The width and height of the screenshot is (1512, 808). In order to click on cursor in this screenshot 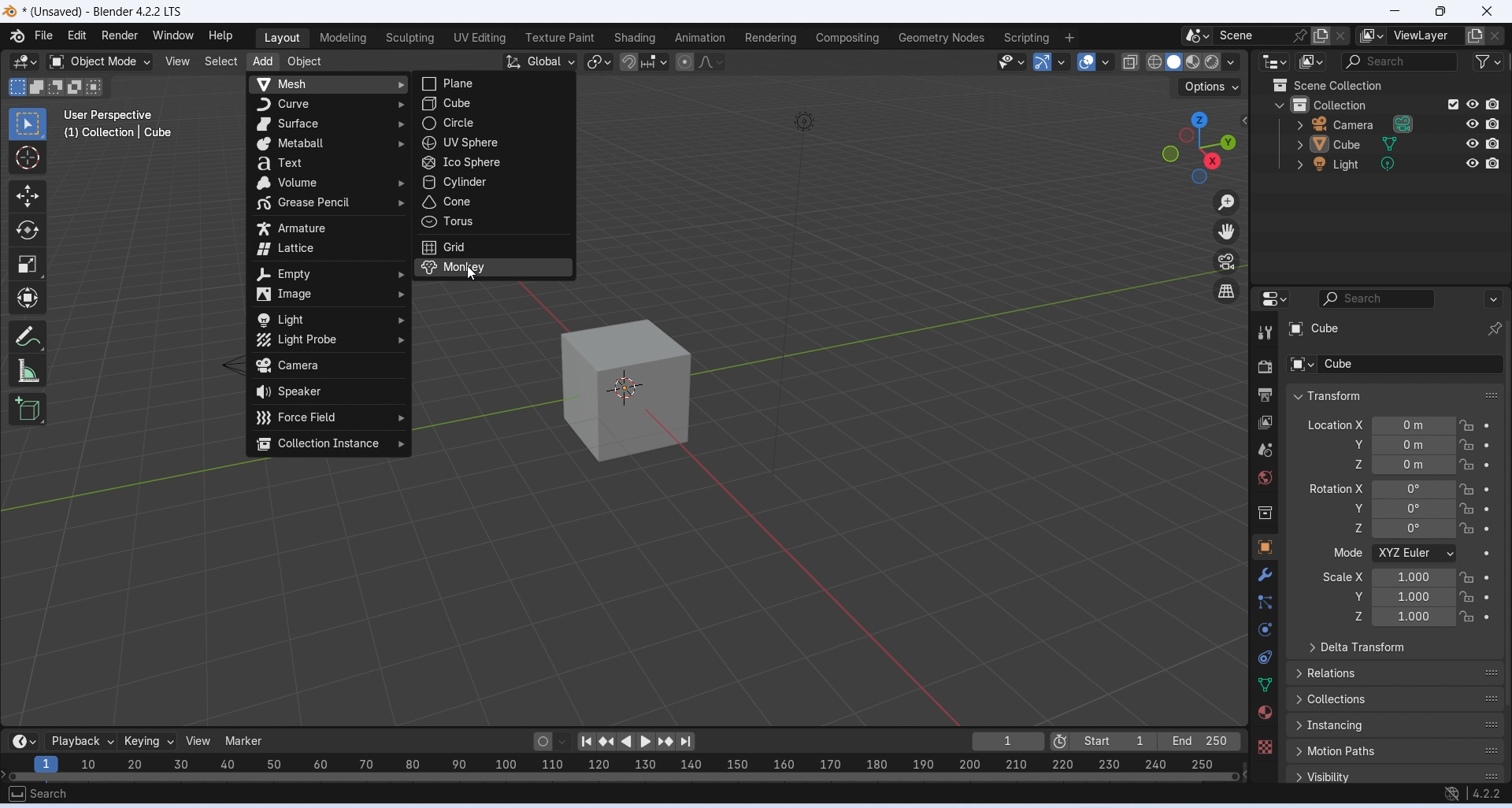, I will do `click(474, 274)`.